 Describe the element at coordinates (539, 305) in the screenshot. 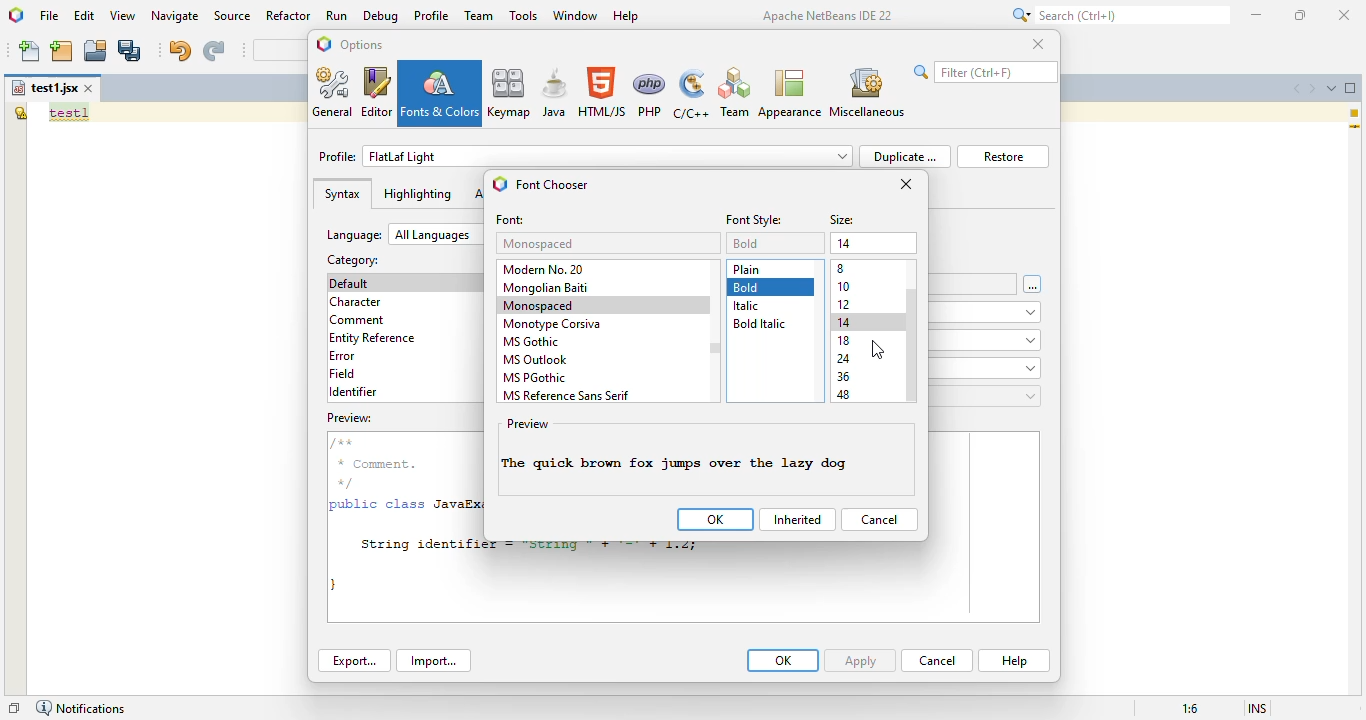

I see `monospaced` at that location.